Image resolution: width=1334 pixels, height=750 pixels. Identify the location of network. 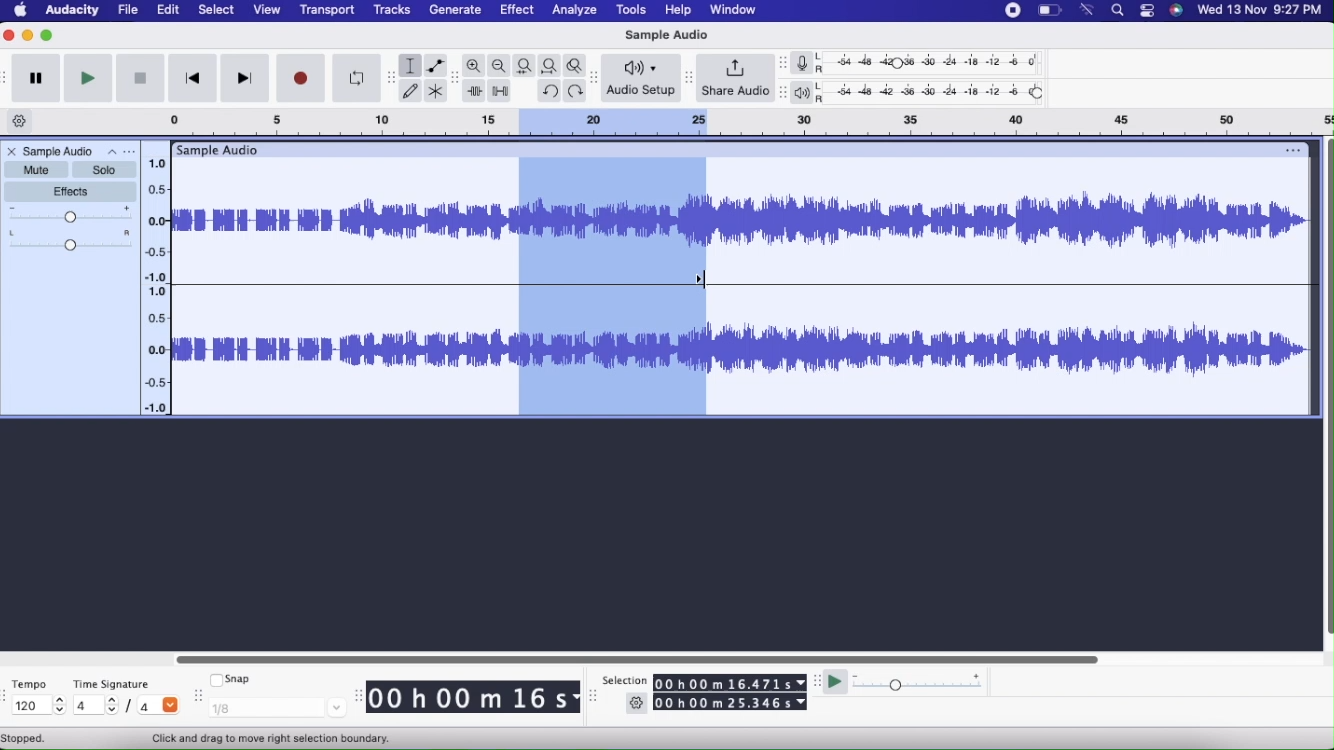
(1088, 10).